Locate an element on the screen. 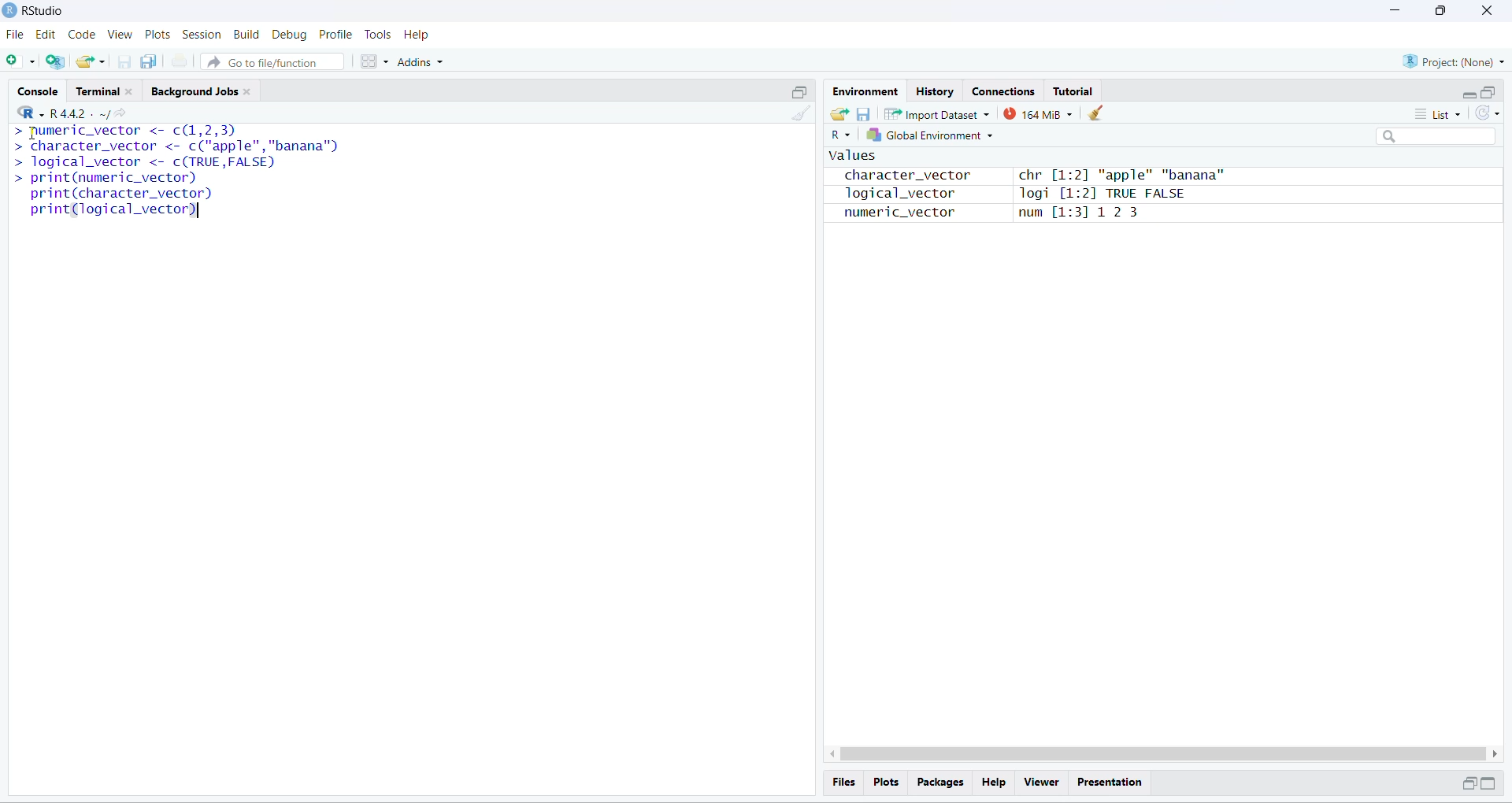  Files is located at coordinates (844, 782).